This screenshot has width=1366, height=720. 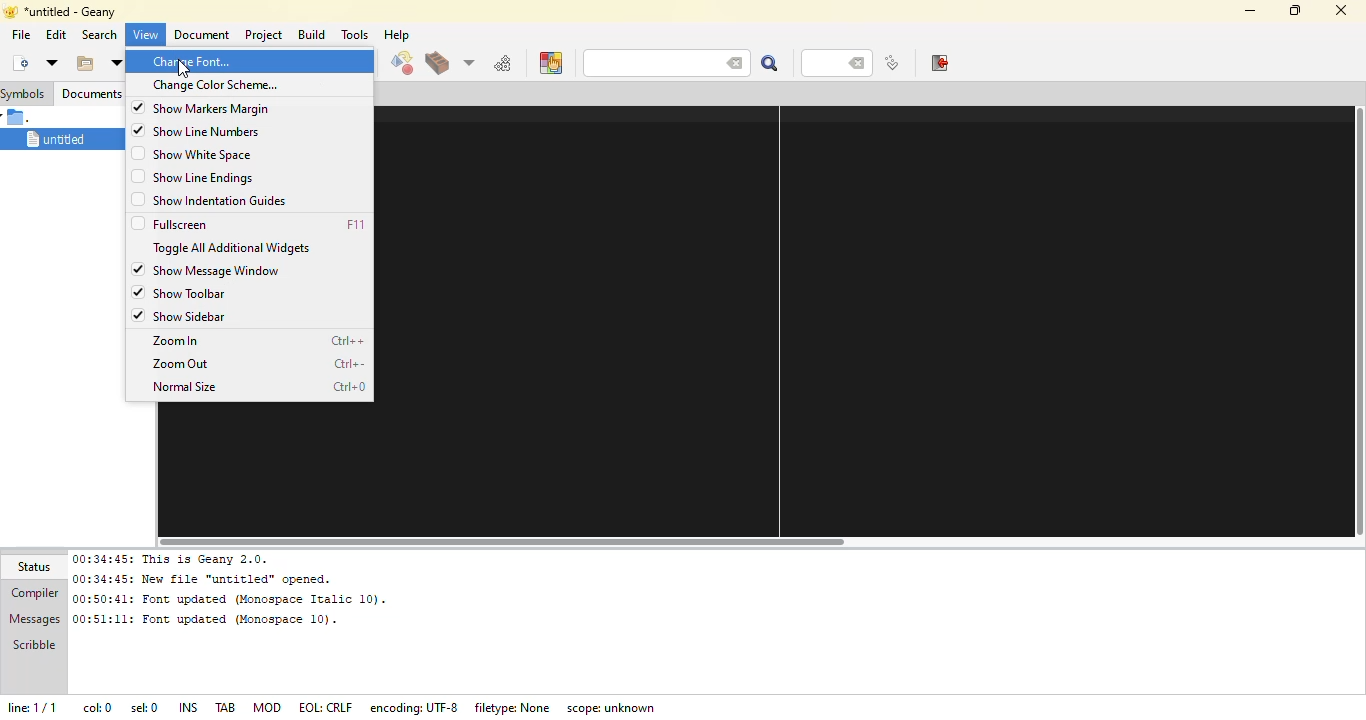 I want to click on logo, so click(x=9, y=11).